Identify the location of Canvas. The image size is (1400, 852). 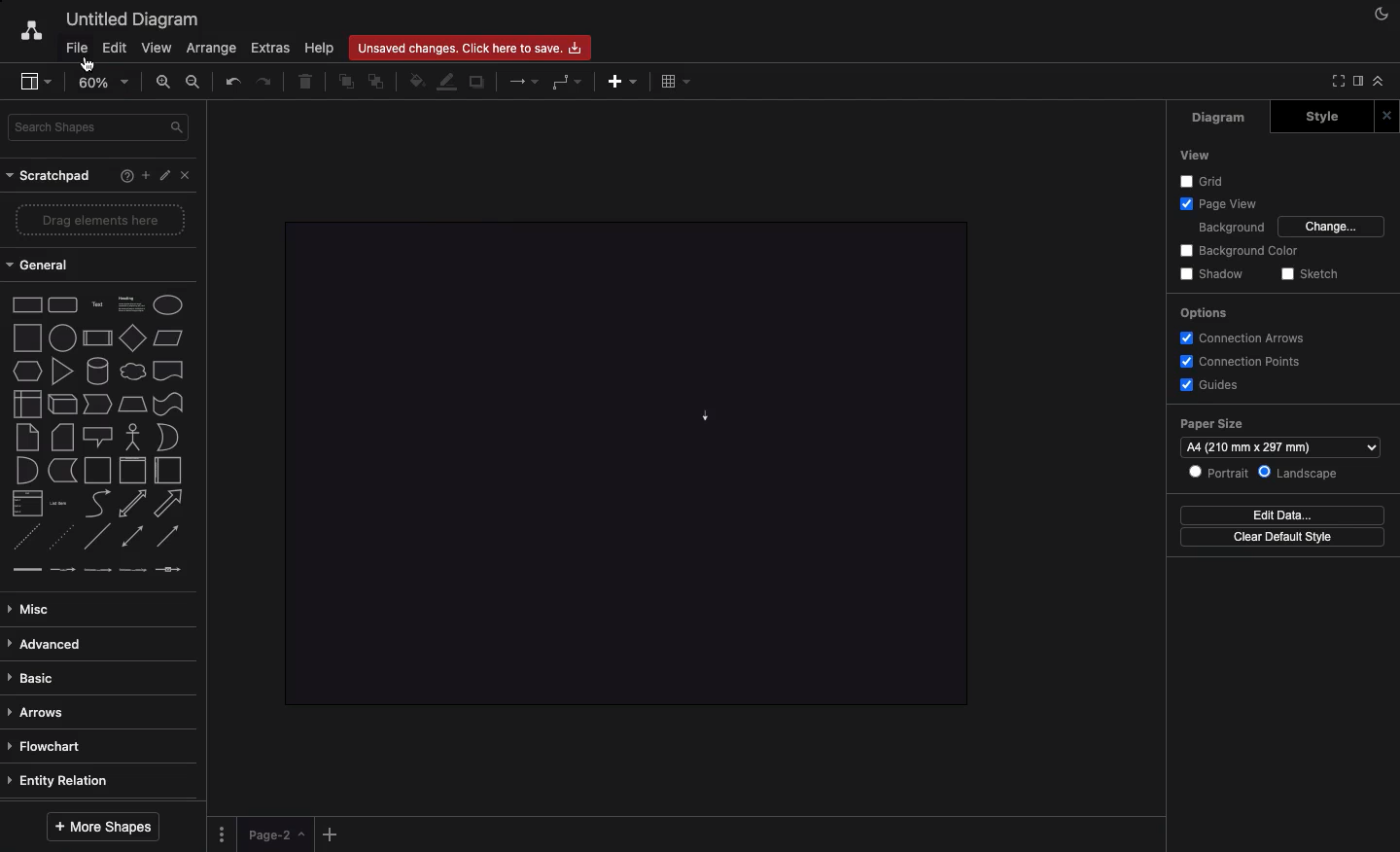
(616, 463).